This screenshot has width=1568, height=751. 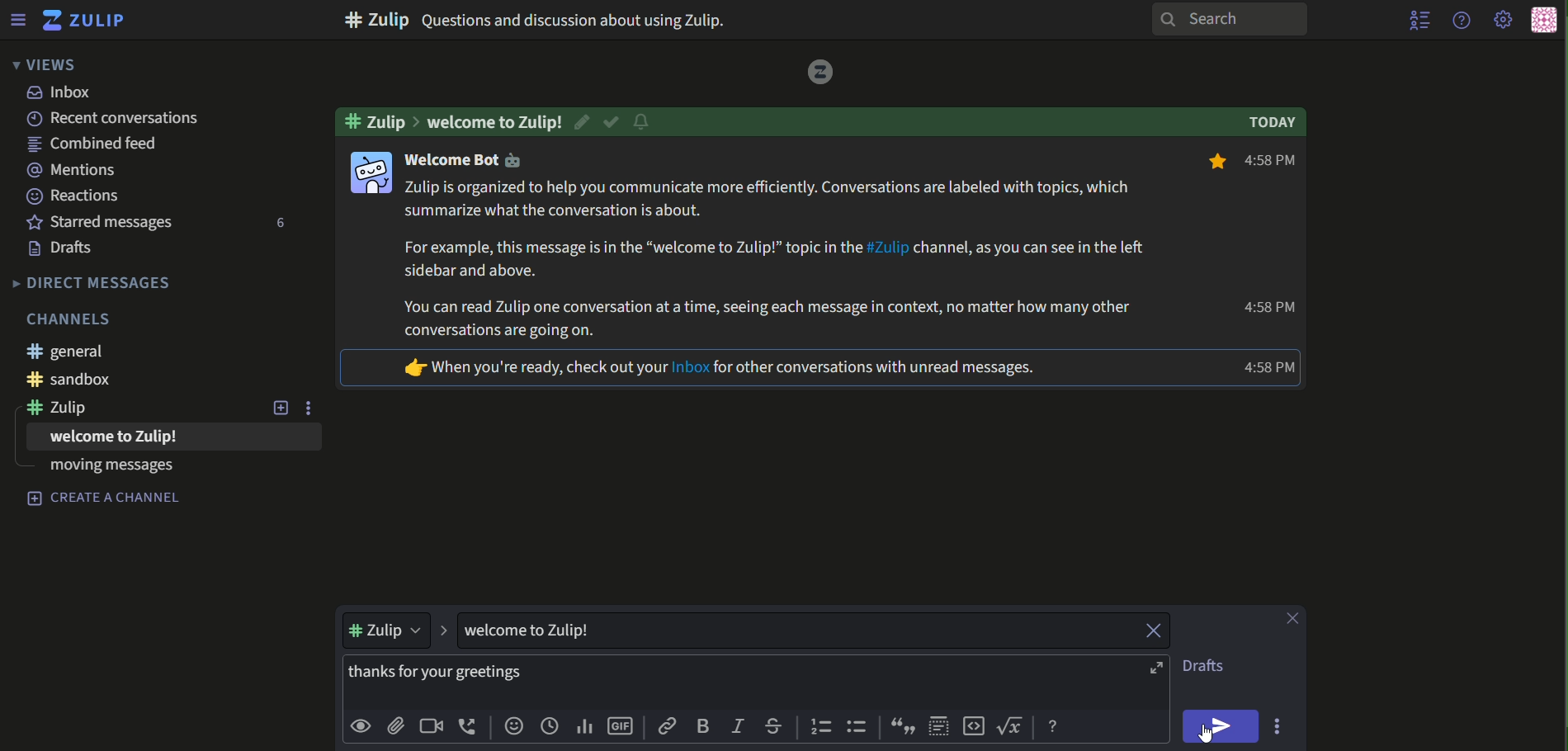 What do you see at coordinates (974, 727) in the screenshot?
I see `code` at bounding box center [974, 727].